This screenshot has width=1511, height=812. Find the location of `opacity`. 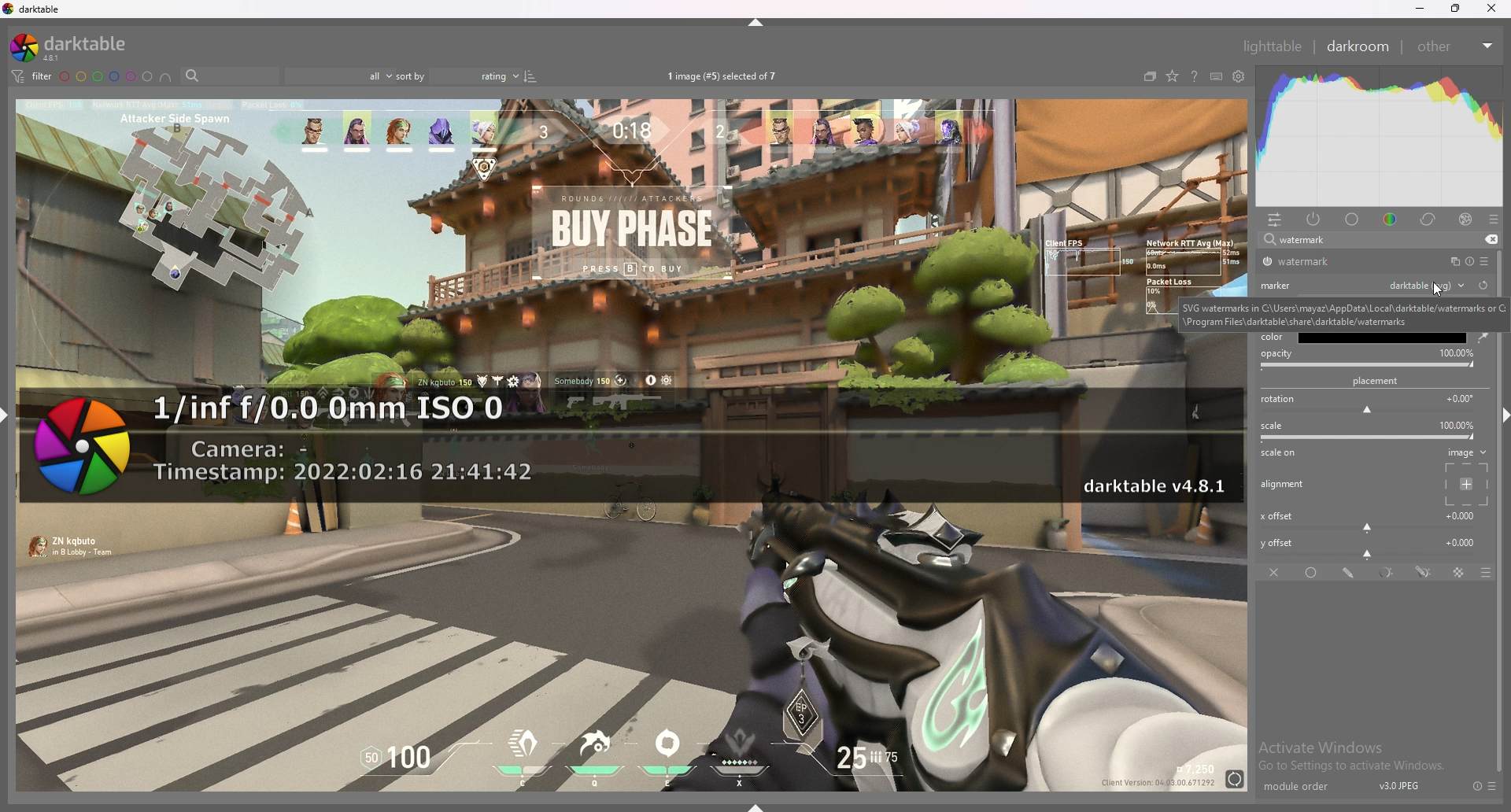

opacity is located at coordinates (1369, 359).